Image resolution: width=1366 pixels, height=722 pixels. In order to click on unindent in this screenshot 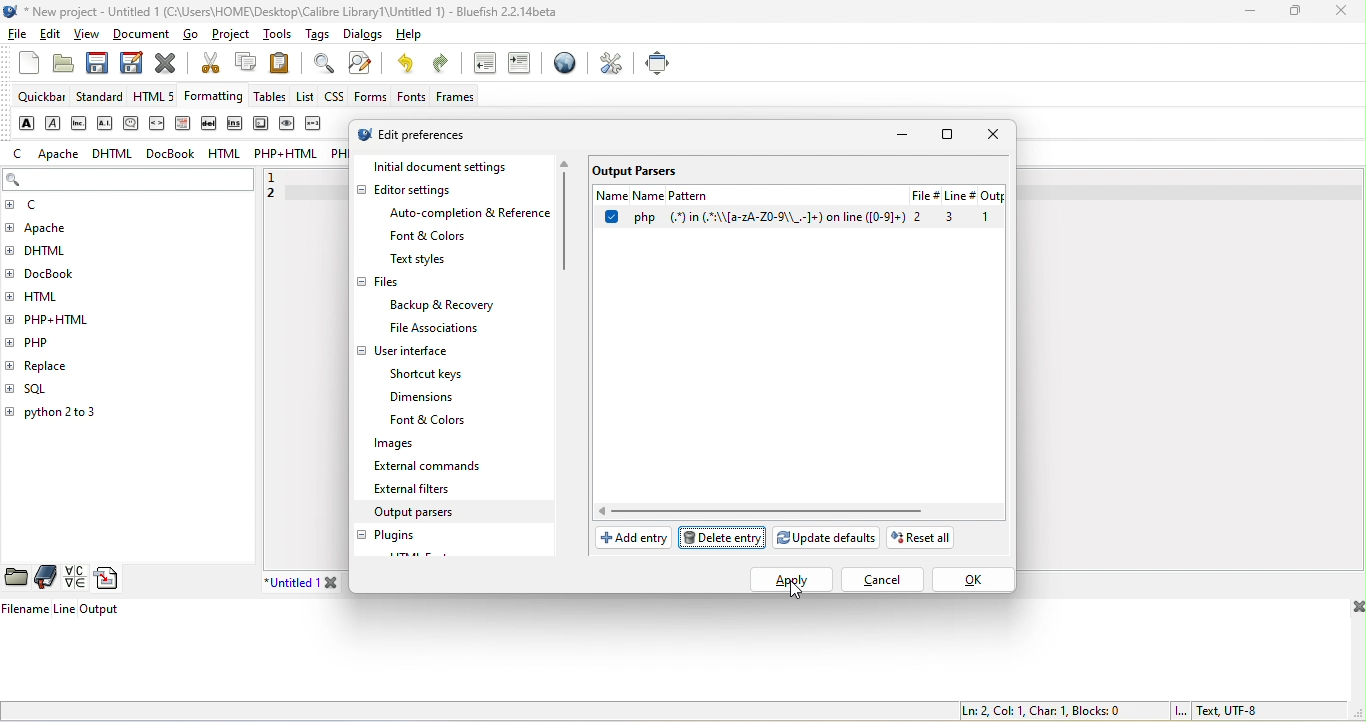, I will do `click(482, 65)`.